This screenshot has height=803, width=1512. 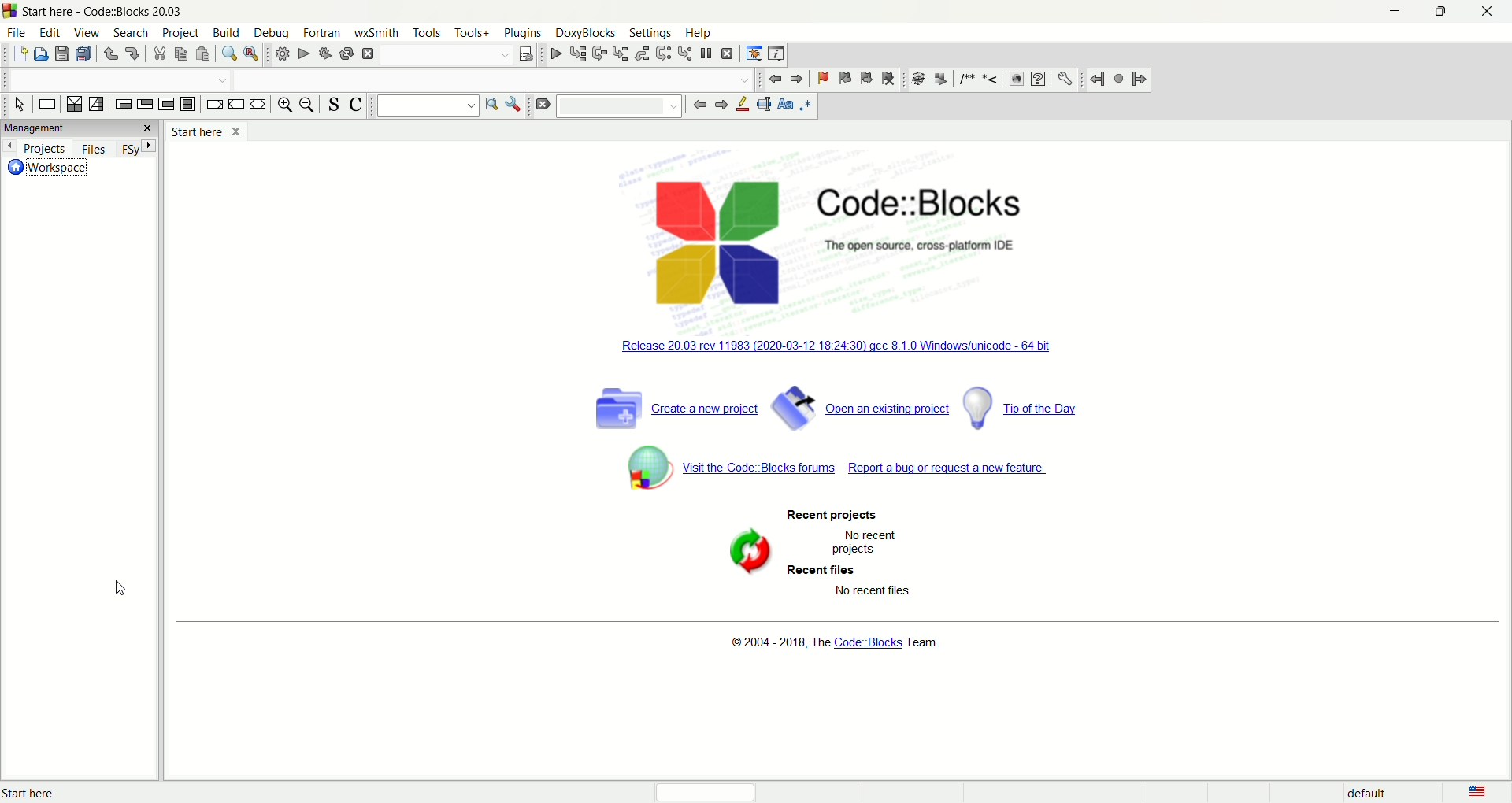 I want to click on toggle comment, so click(x=358, y=105).